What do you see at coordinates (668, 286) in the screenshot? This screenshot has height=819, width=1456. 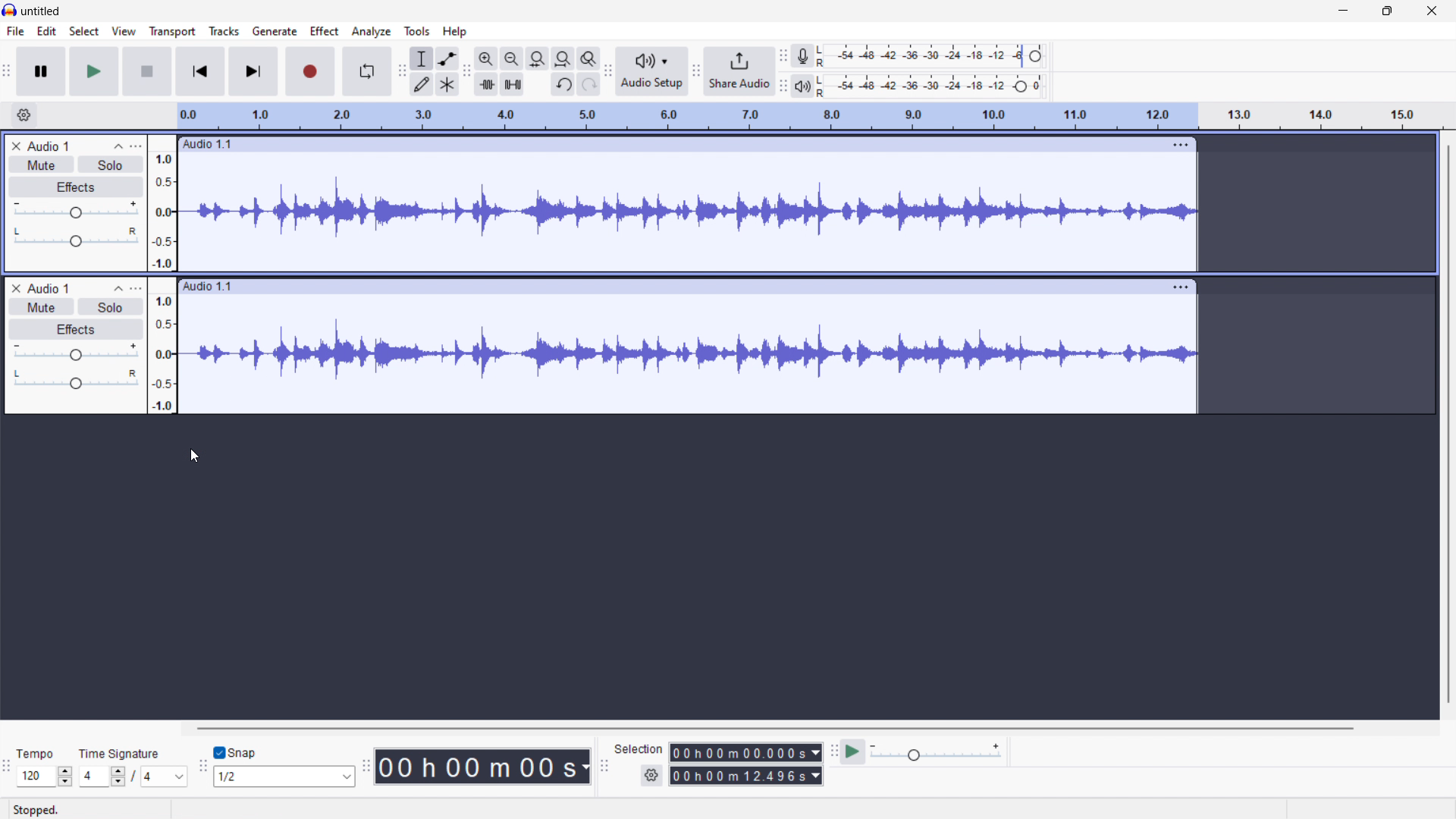 I see `Audio 1.1` at bounding box center [668, 286].